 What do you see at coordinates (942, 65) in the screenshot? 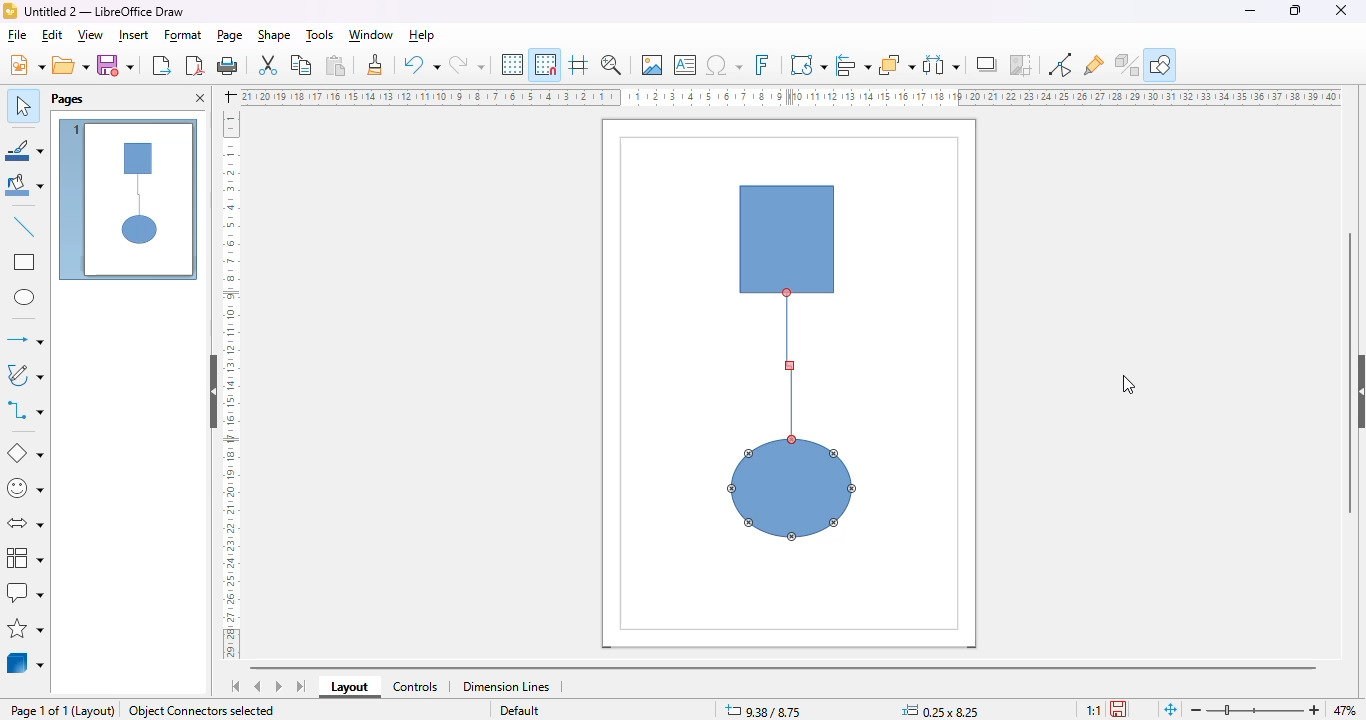
I see `select at least three objects to distribute` at bounding box center [942, 65].